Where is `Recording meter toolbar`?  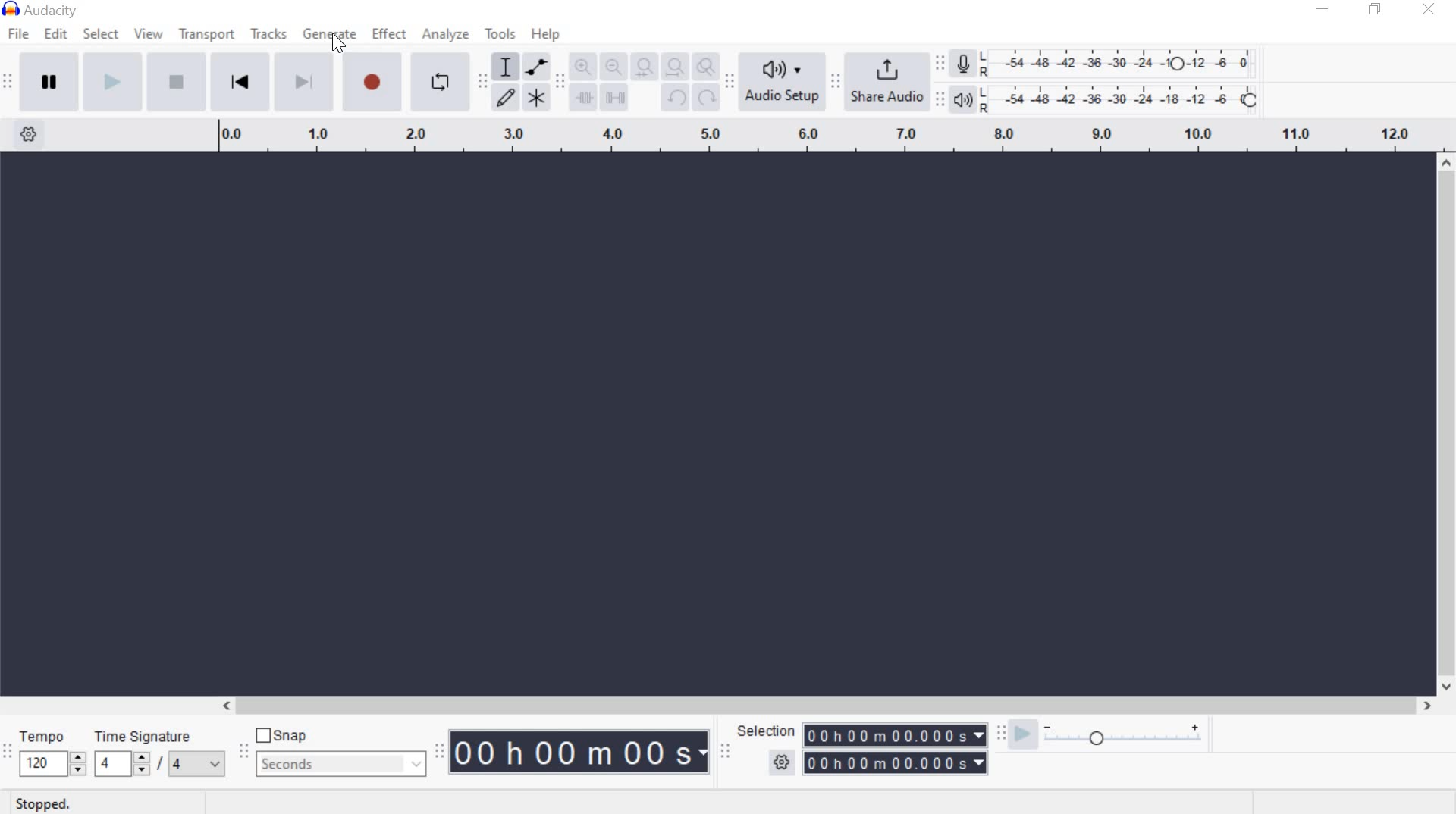
Recording meter toolbar is located at coordinates (939, 61).